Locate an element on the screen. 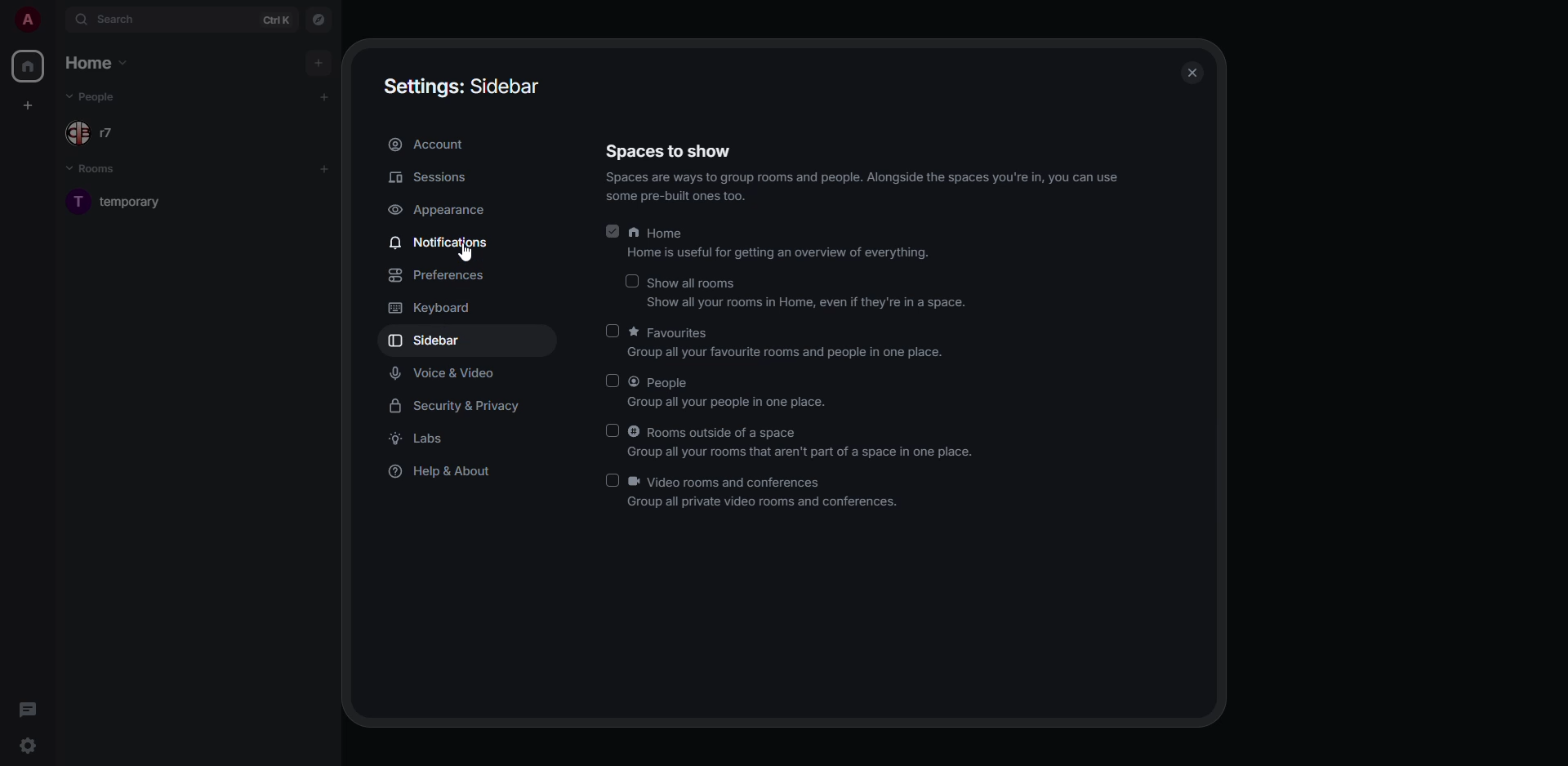 The image size is (1568, 766). expand is located at coordinates (55, 22).